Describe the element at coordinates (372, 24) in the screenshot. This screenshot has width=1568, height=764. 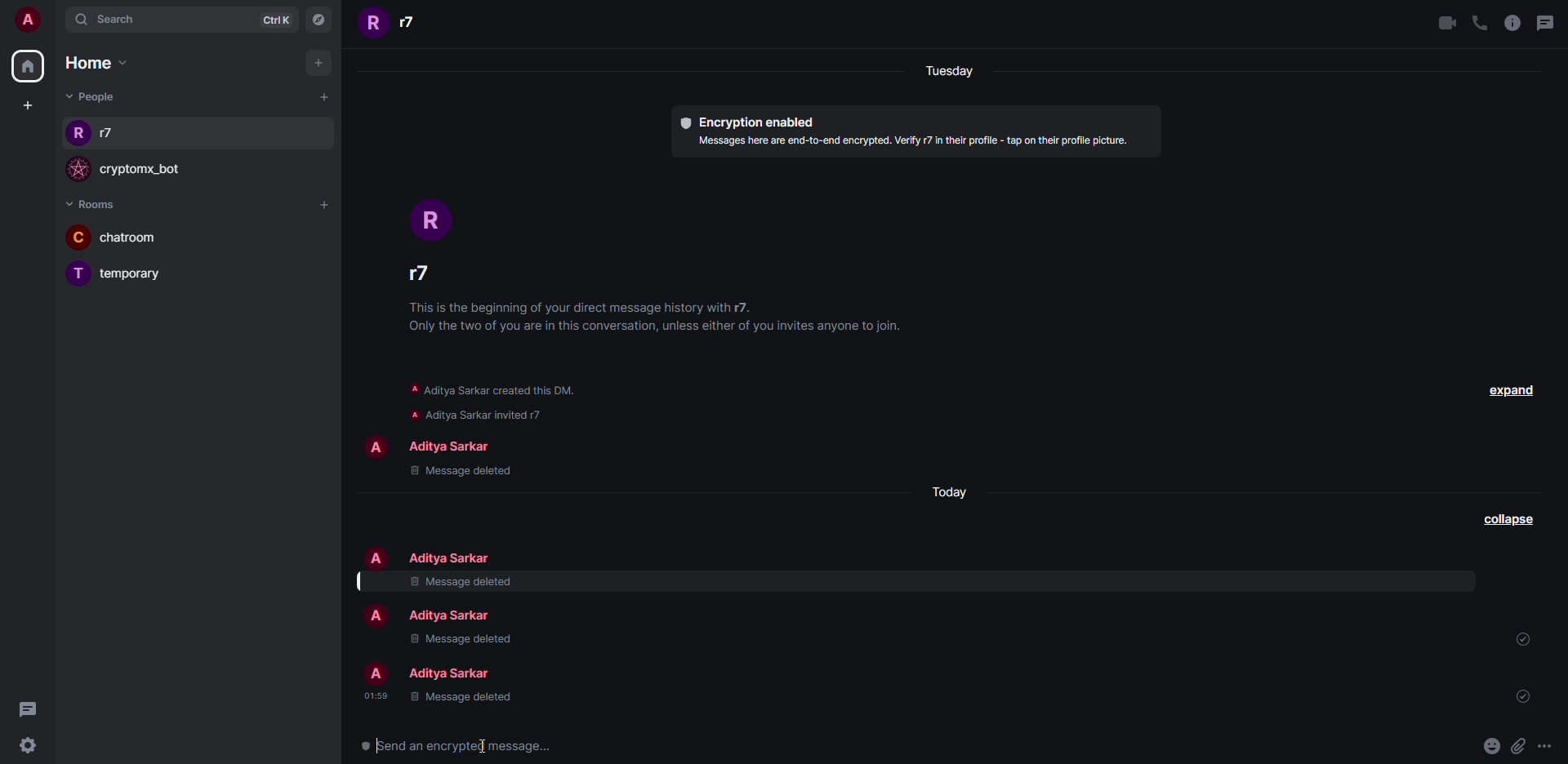
I see `profile` at that location.